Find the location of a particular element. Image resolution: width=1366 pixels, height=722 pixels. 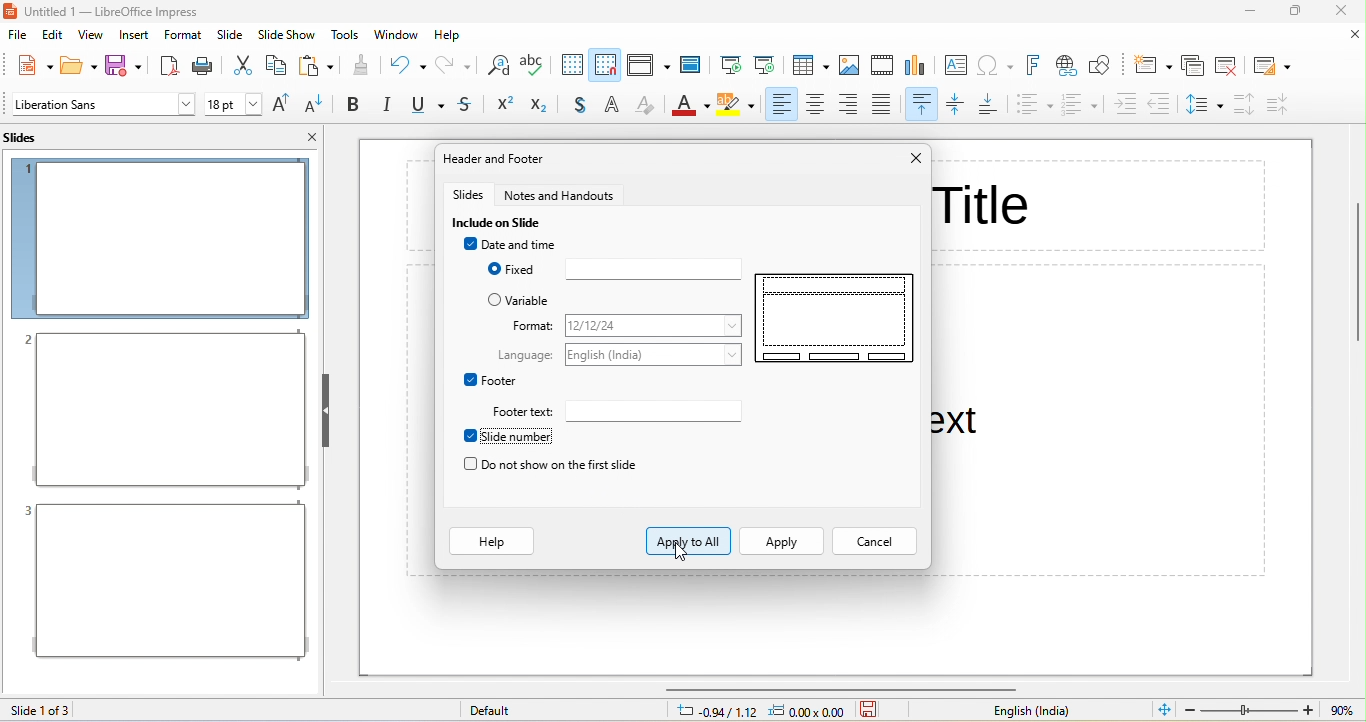

special character is located at coordinates (999, 65).